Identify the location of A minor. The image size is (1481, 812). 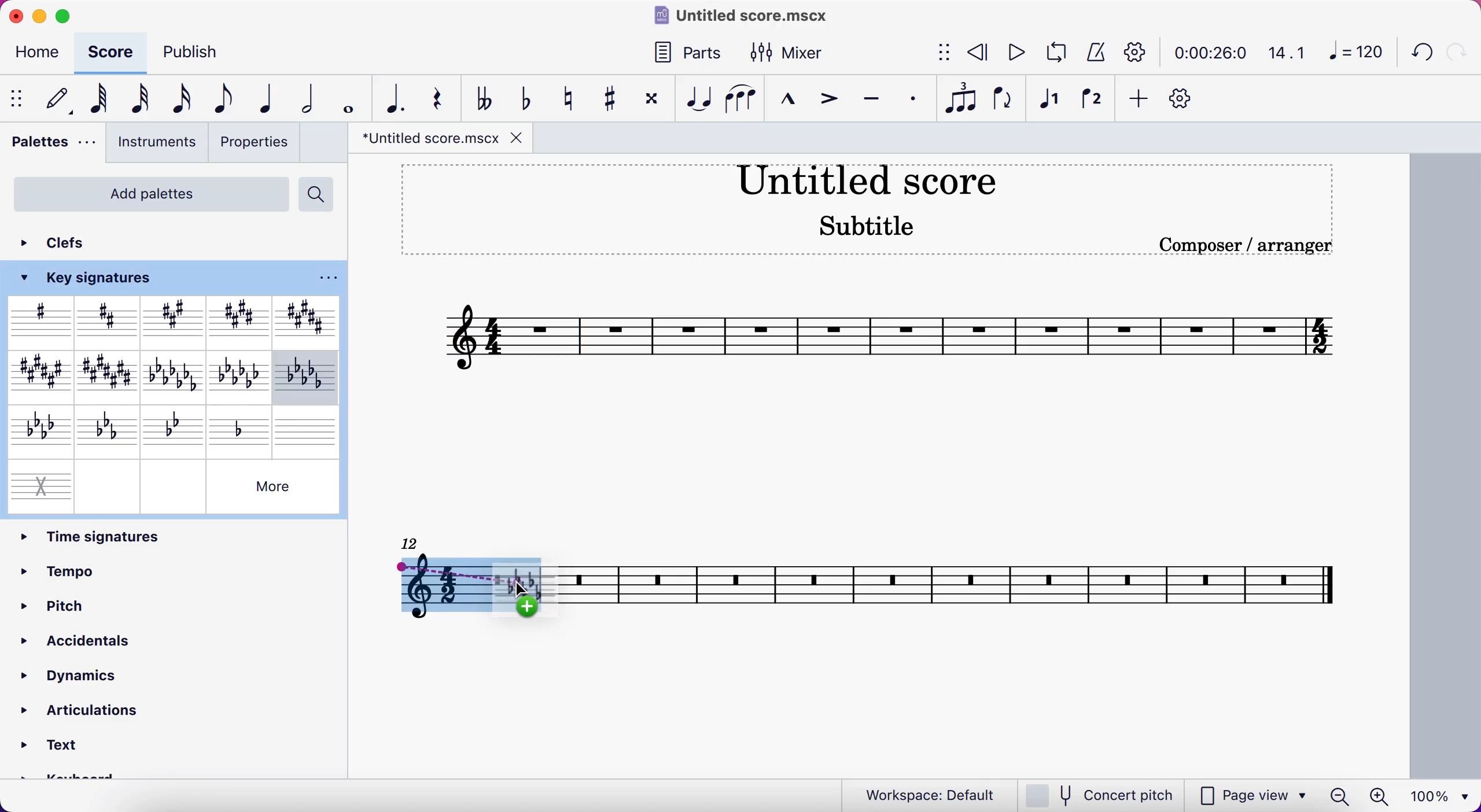
(175, 375).